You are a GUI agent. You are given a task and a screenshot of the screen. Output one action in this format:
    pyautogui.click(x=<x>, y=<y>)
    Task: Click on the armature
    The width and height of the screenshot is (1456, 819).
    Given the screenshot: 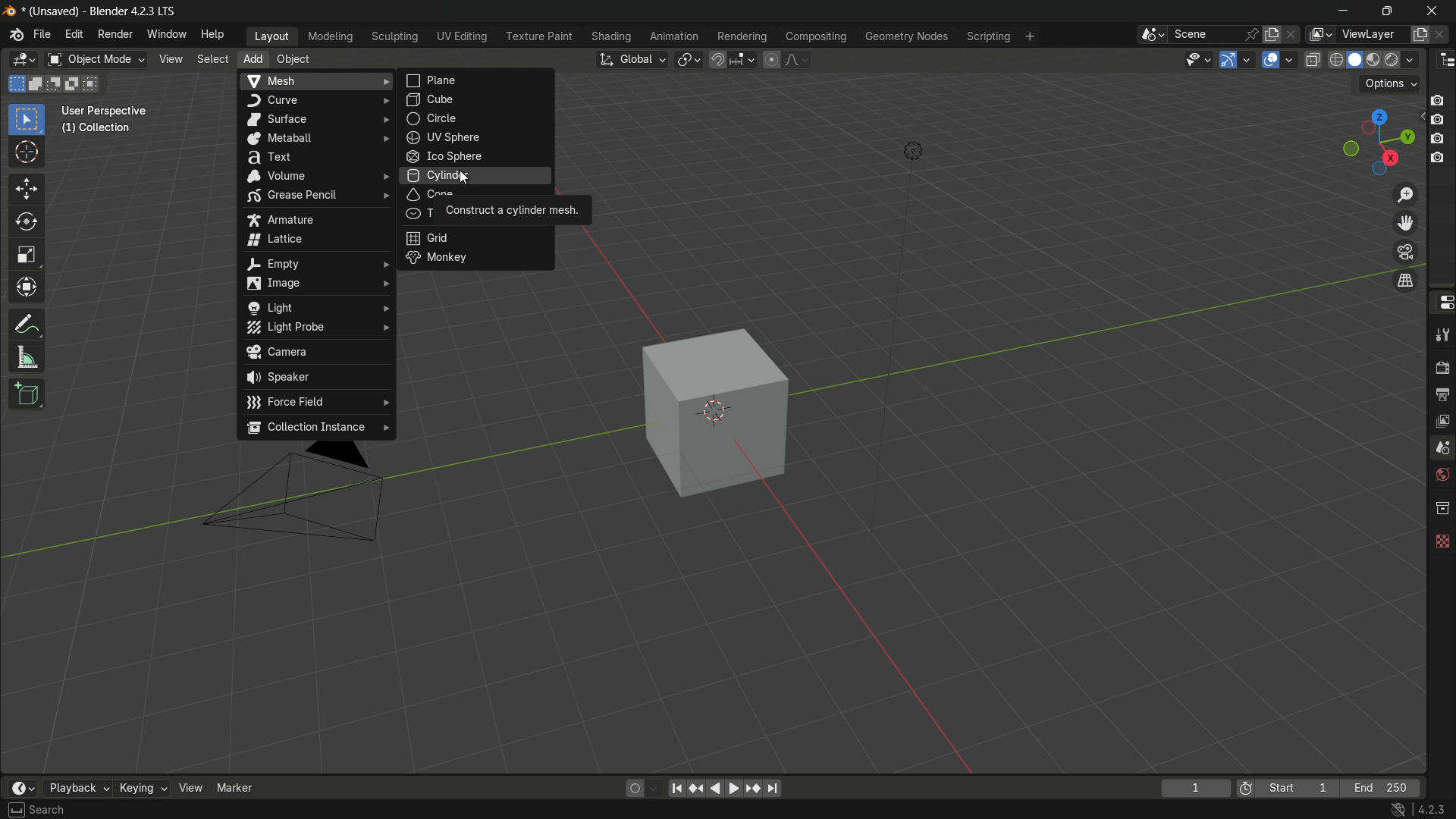 What is the action you would take?
    pyautogui.click(x=315, y=218)
    